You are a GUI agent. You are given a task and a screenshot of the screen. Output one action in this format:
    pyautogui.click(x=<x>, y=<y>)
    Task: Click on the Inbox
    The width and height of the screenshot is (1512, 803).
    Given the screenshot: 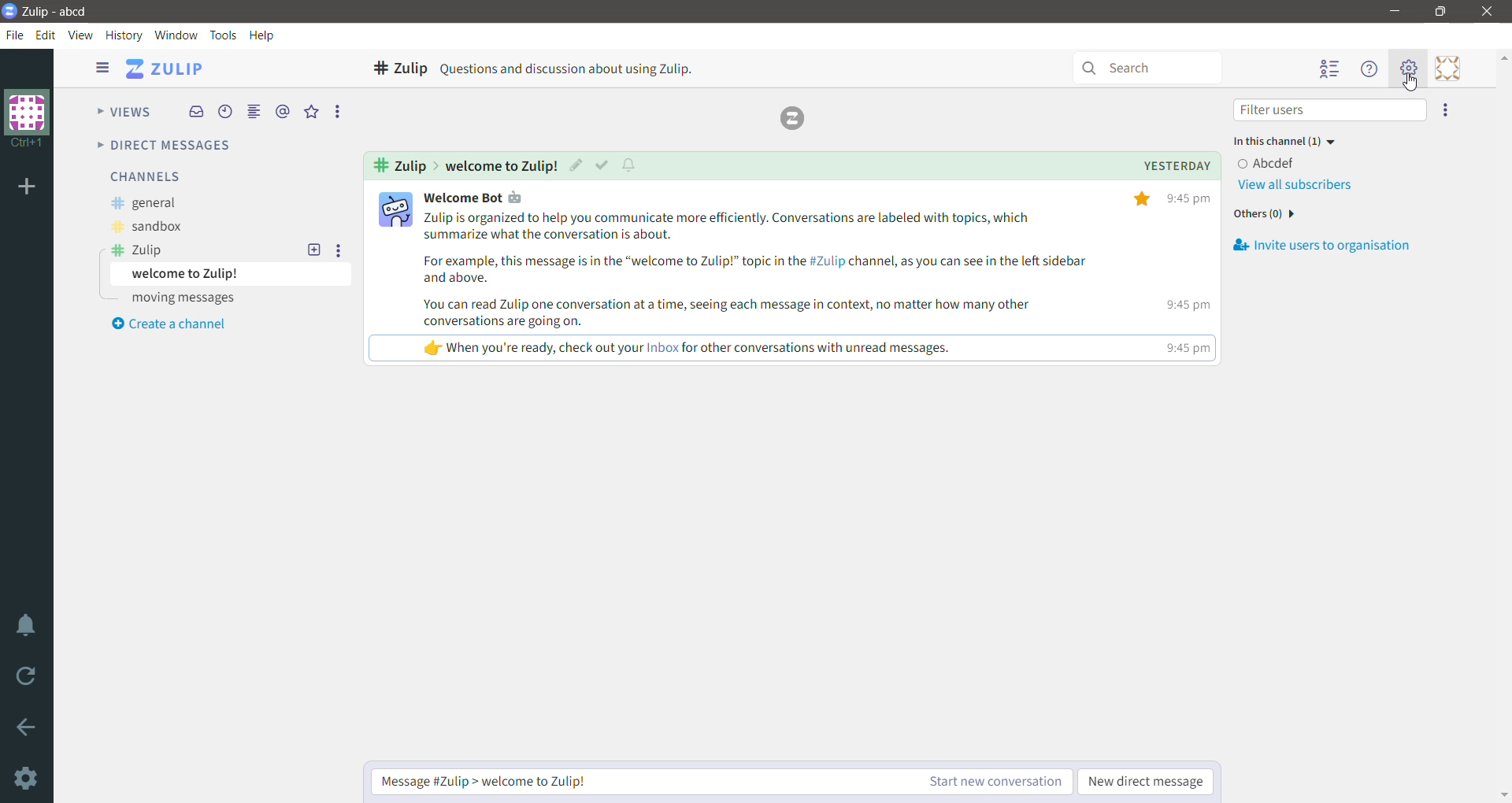 What is the action you would take?
    pyautogui.click(x=195, y=113)
    